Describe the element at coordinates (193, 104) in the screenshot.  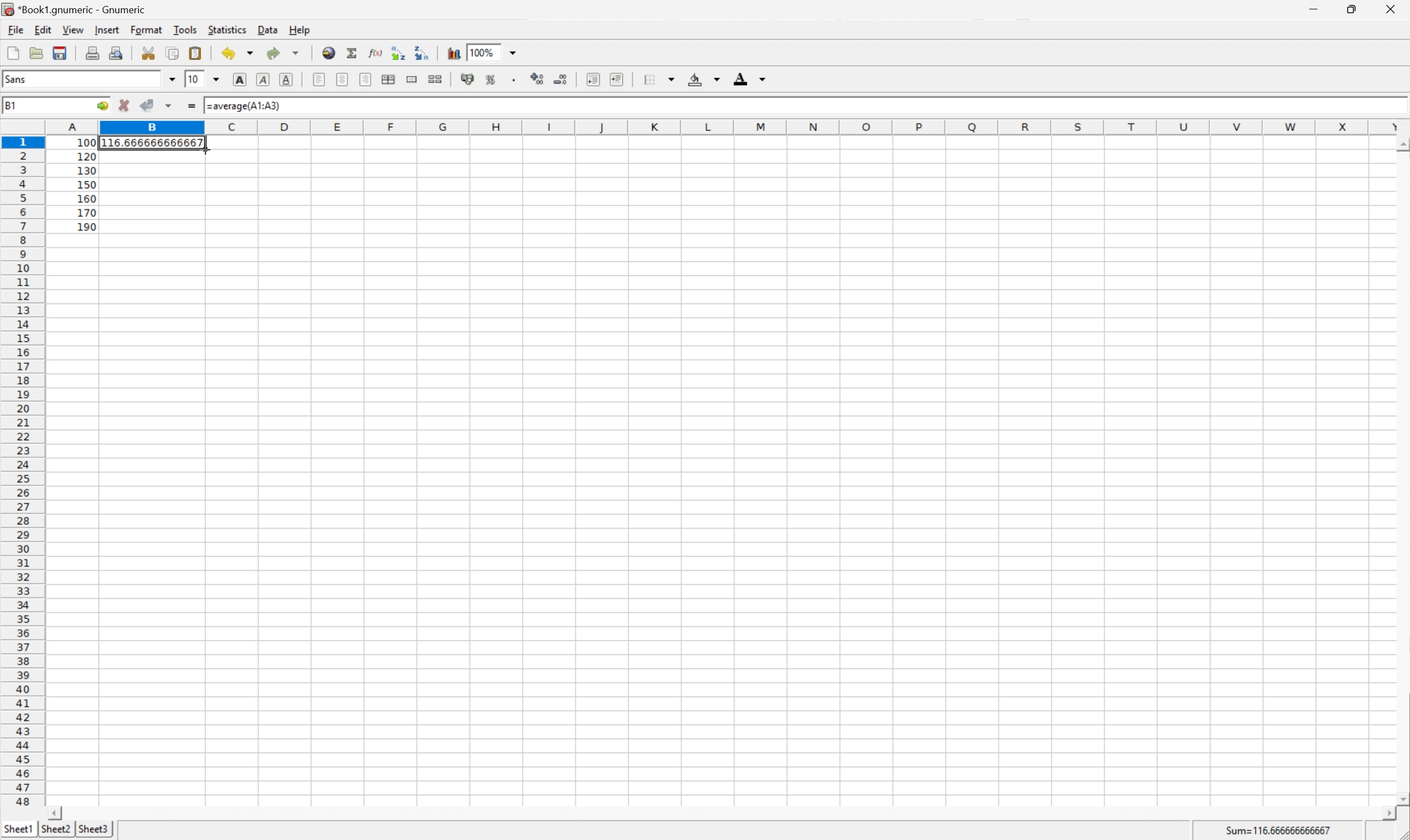
I see `Enter formula` at that location.